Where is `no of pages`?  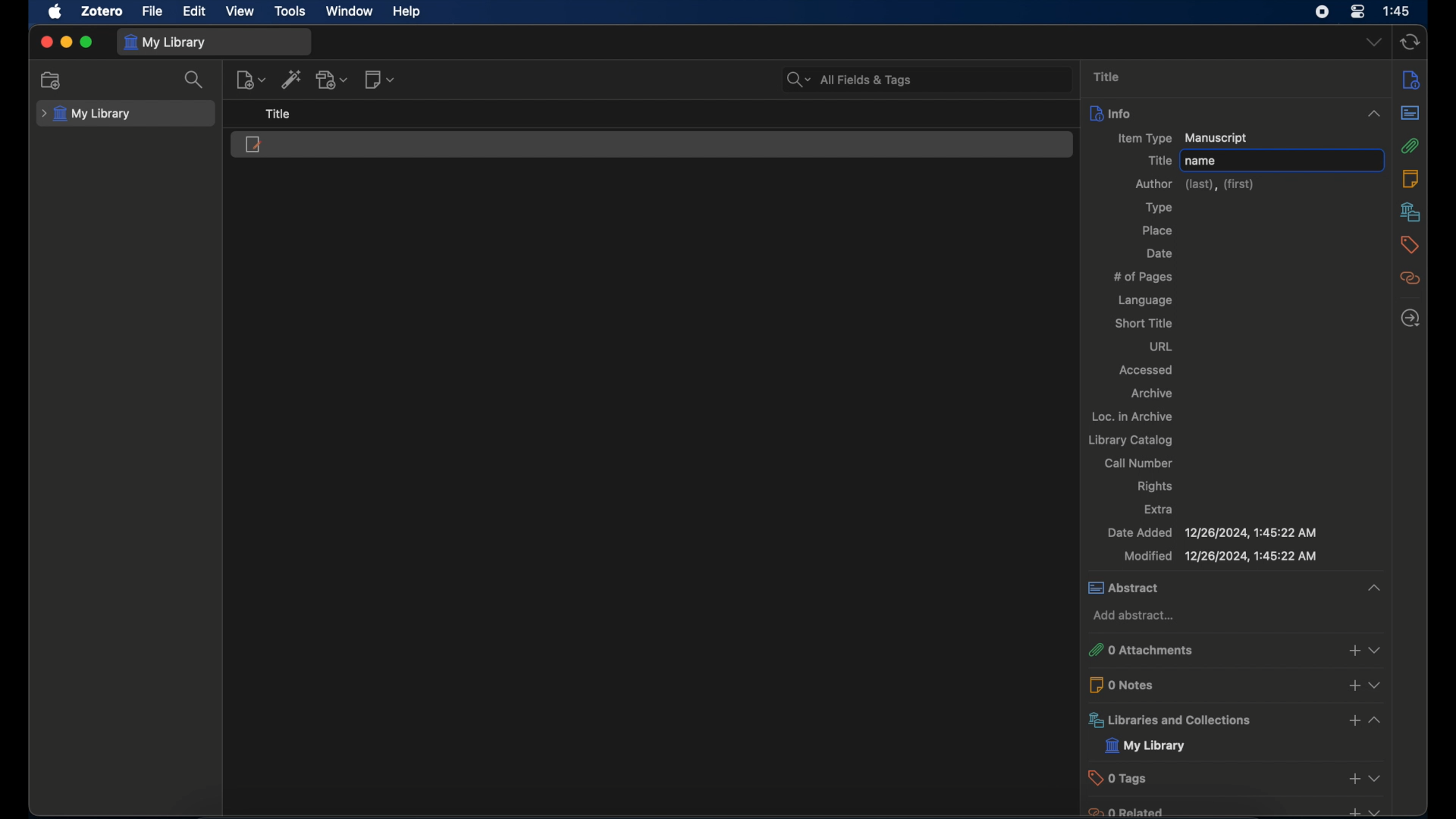 no of pages is located at coordinates (1144, 277).